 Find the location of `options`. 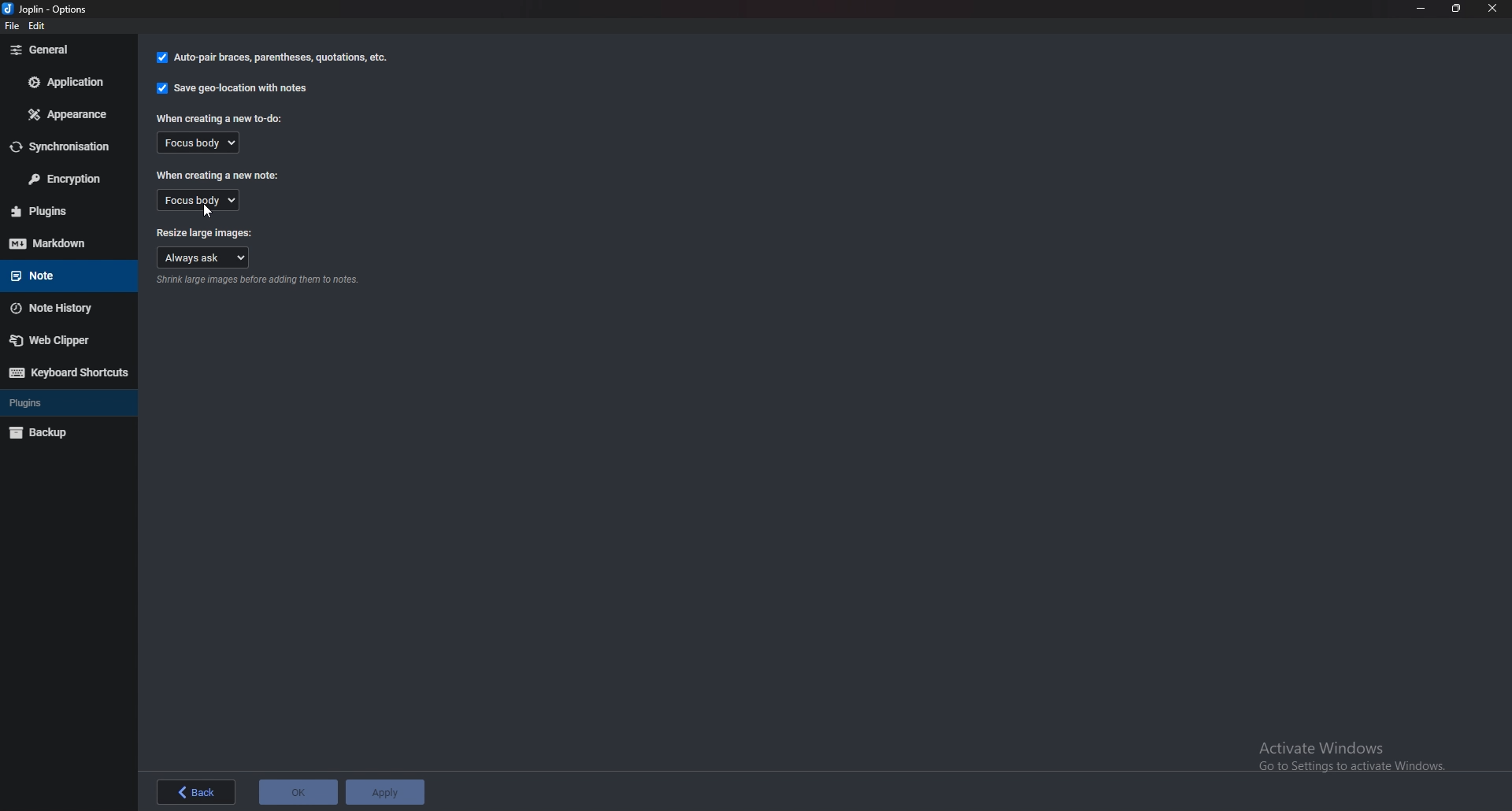

options is located at coordinates (50, 10).